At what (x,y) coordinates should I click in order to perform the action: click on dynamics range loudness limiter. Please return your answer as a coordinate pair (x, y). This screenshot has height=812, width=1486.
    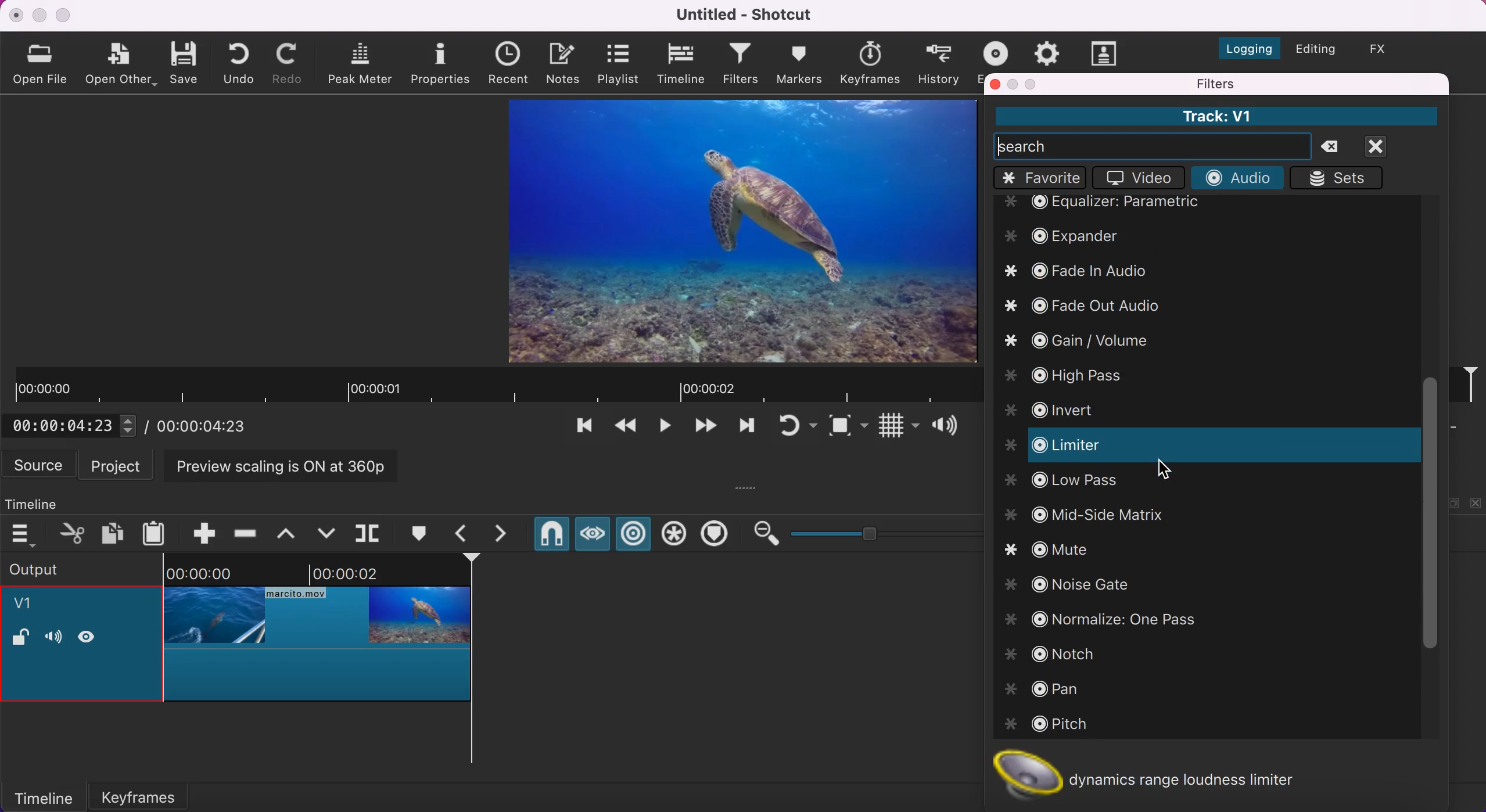
    Looking at the image, I should click on (1161, 770).